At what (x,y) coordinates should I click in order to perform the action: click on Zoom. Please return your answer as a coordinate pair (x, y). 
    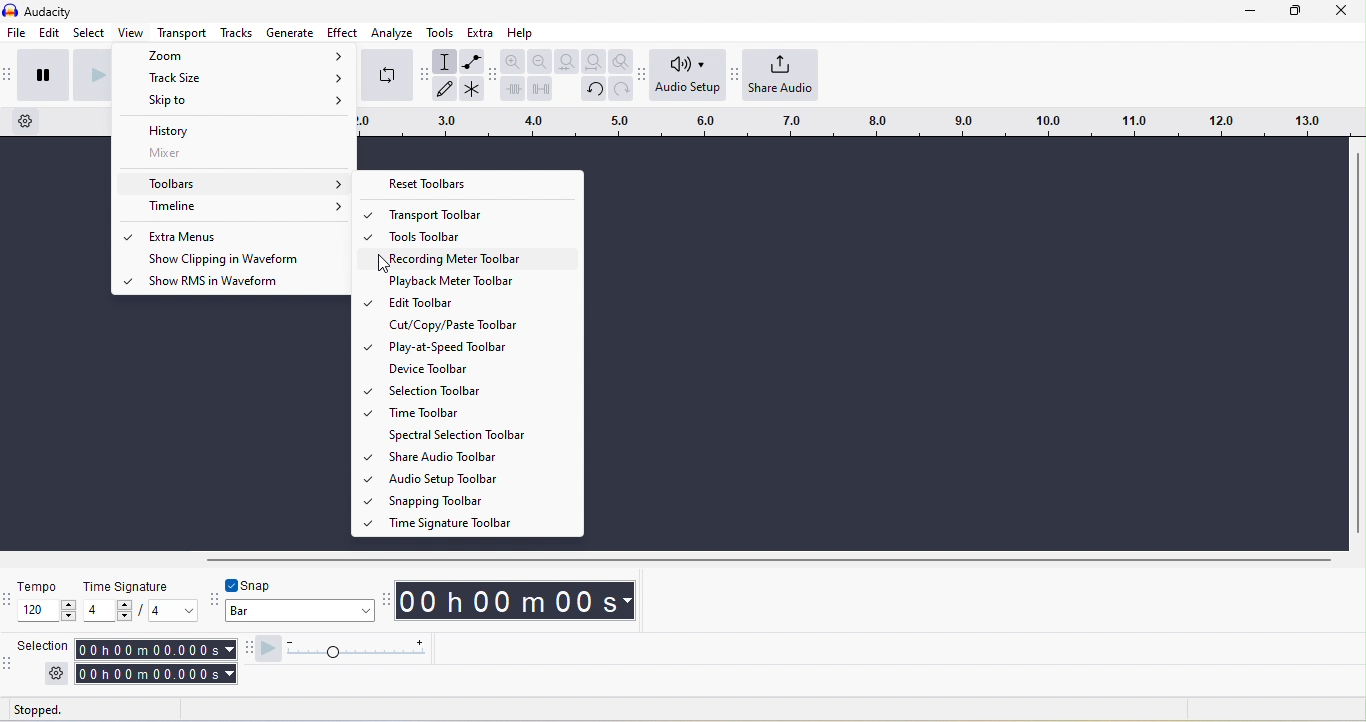
    Looking at the image, I should click on (237, 55).